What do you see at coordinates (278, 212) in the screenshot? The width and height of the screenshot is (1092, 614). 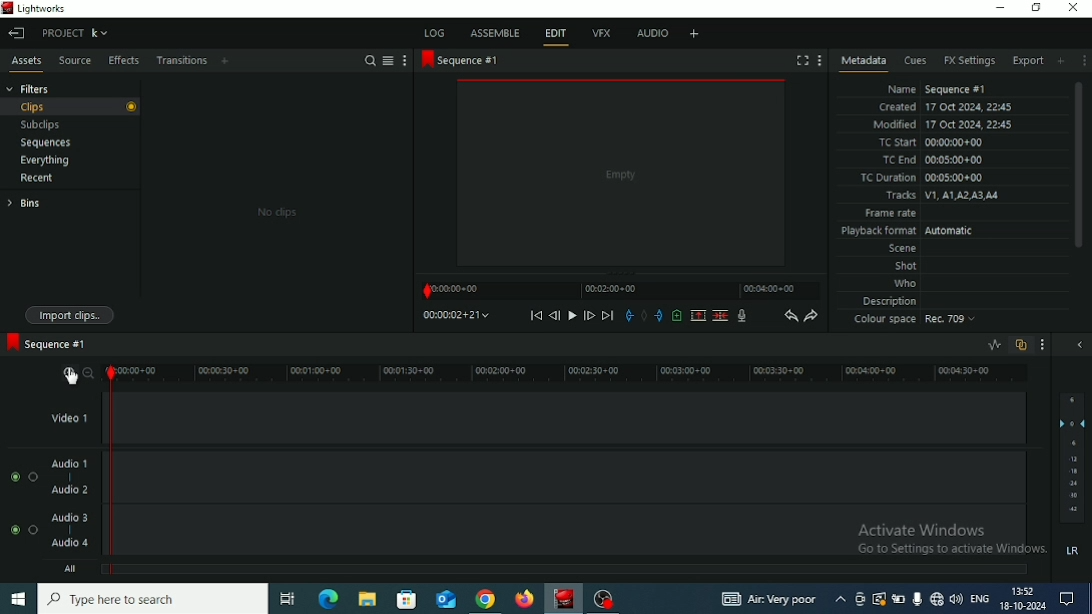 I see `No clips` at bounding box center [278, 212].